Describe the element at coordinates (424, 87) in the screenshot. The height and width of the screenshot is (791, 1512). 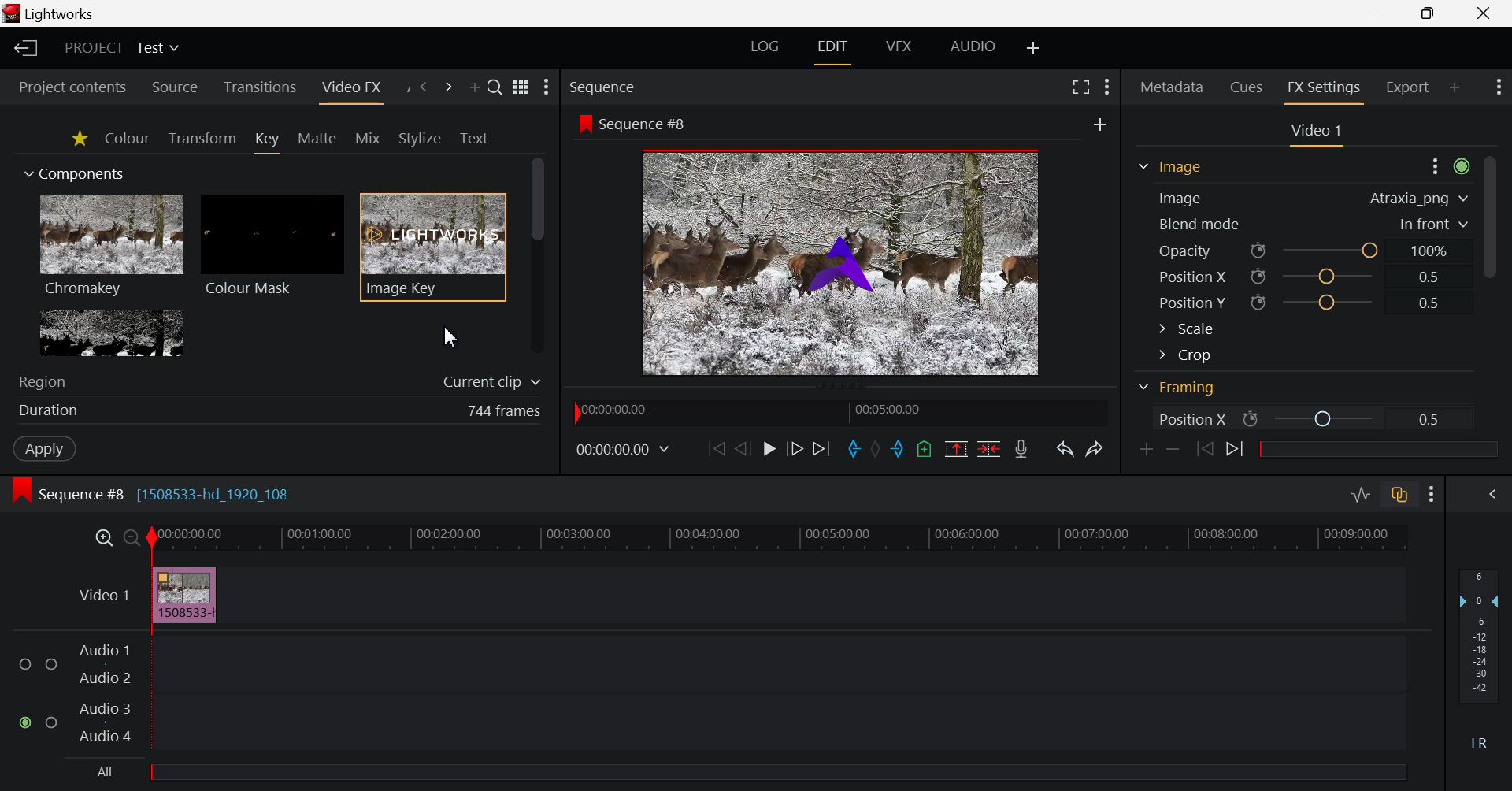
I see `Previous Panel` at that location.